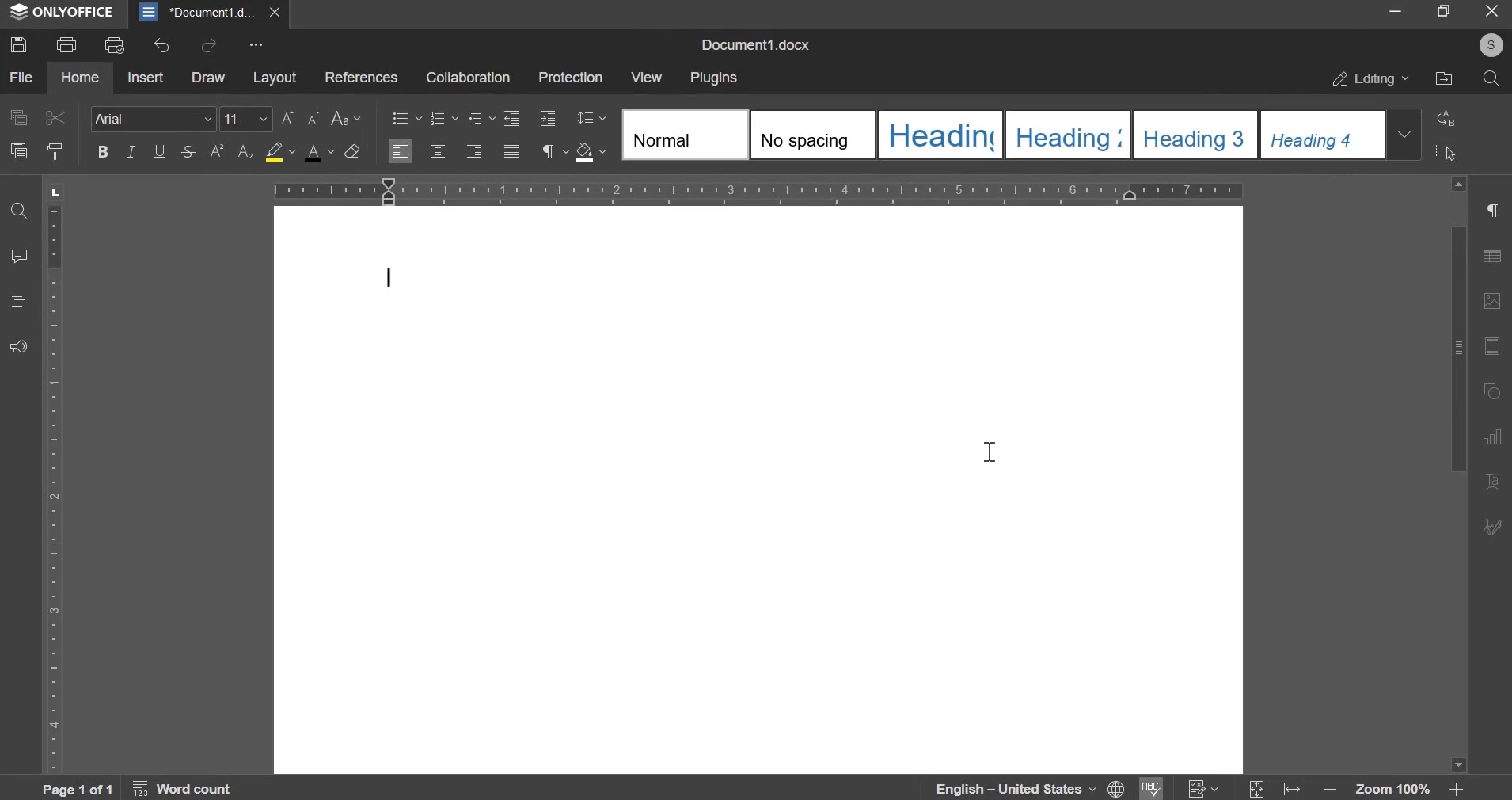 The width and height of the screenshot is (1512, 800). Describe the element at coordinates (942, 134) in the screenshot. I see `Heading 1` at that location.